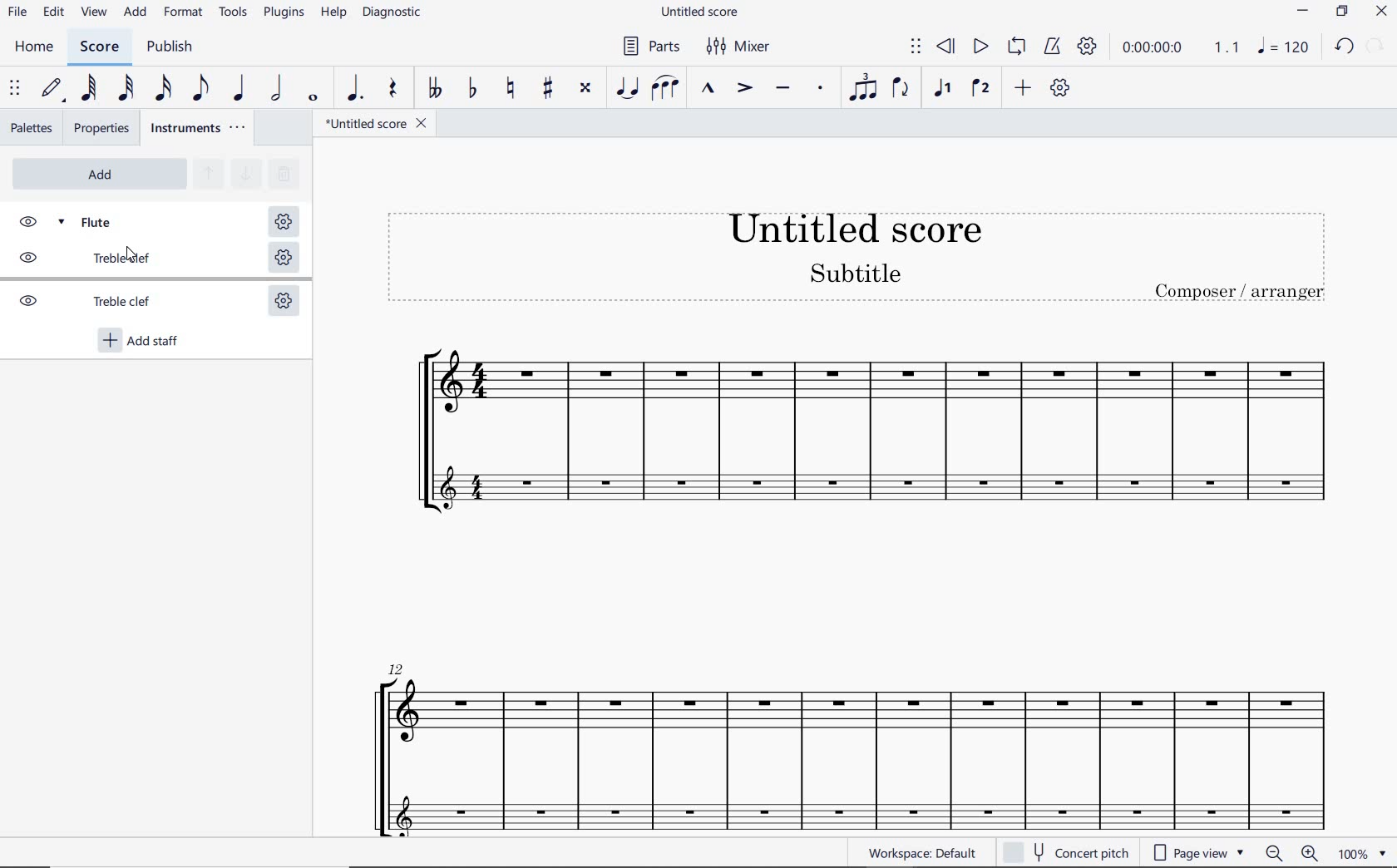 The width and height of the screenshot is (1397, 868). I want to click on PUBLISH, so click(175, 49).